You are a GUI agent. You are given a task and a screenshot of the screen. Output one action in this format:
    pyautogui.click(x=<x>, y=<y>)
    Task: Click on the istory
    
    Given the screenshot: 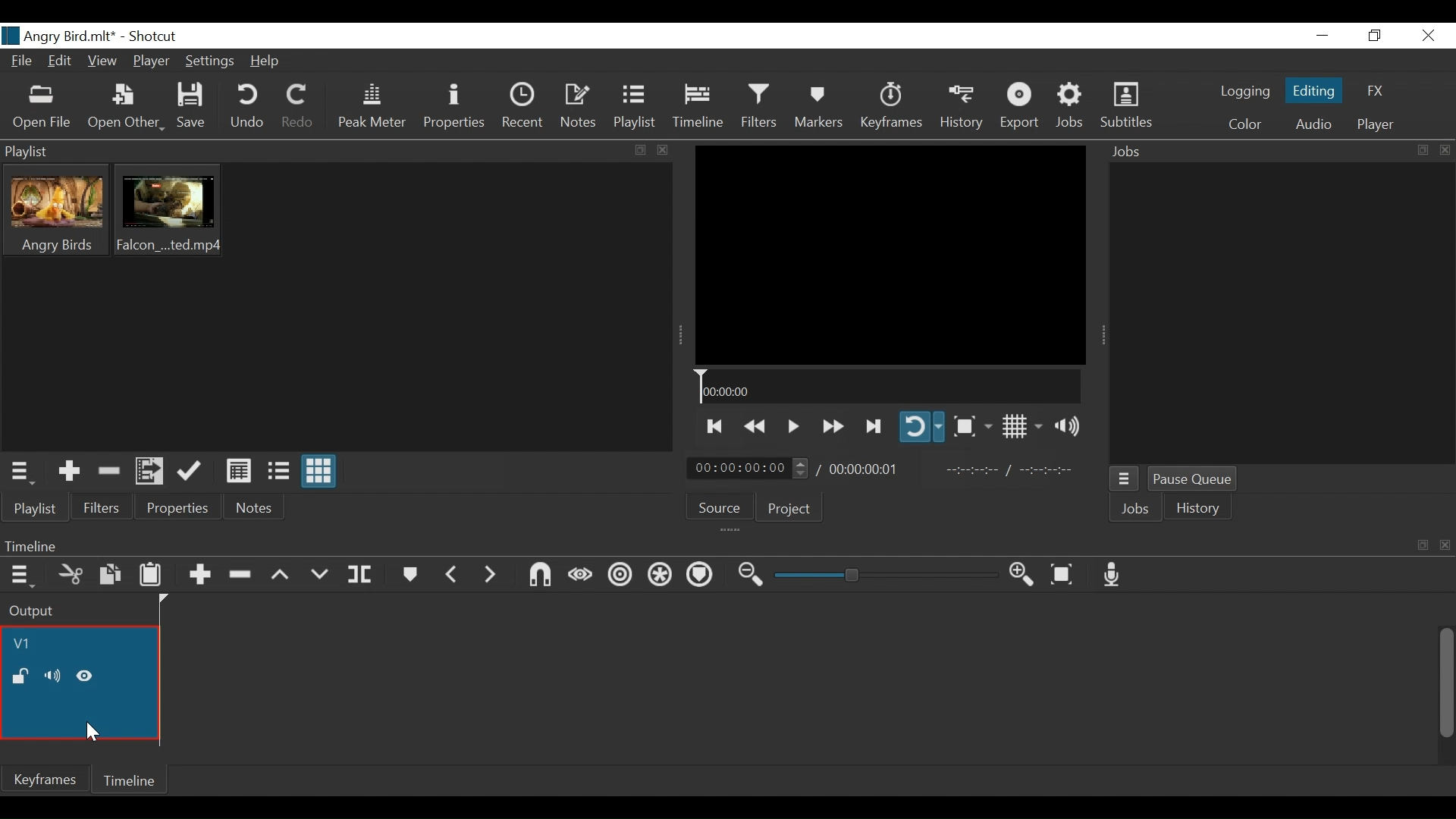 What is the action you would take?
    pyautogui.click(x=1200, y=507)
    